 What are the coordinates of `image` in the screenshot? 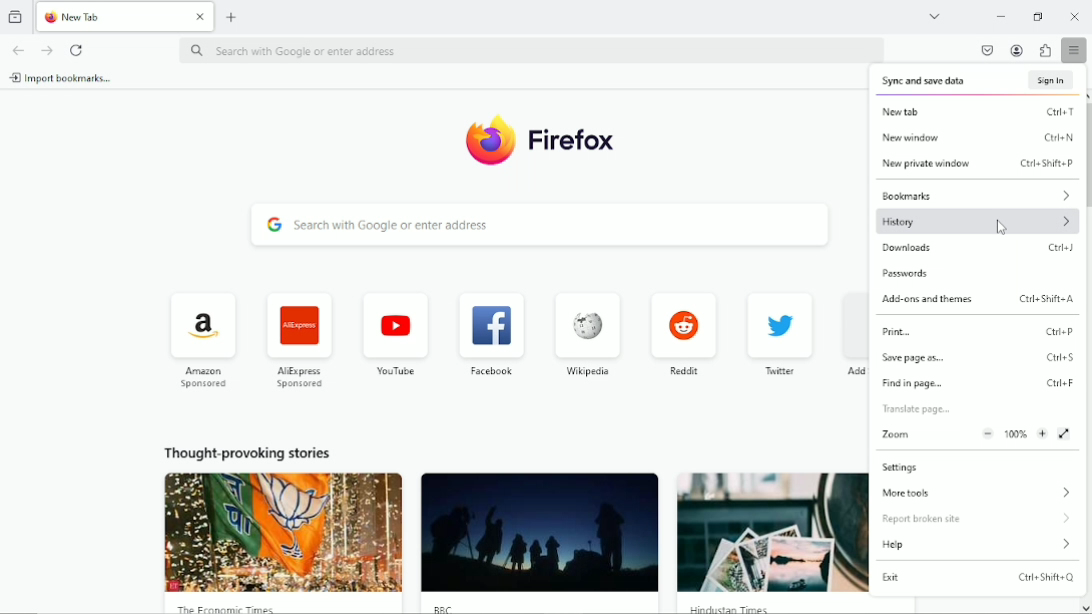 It's located at (773, 532).